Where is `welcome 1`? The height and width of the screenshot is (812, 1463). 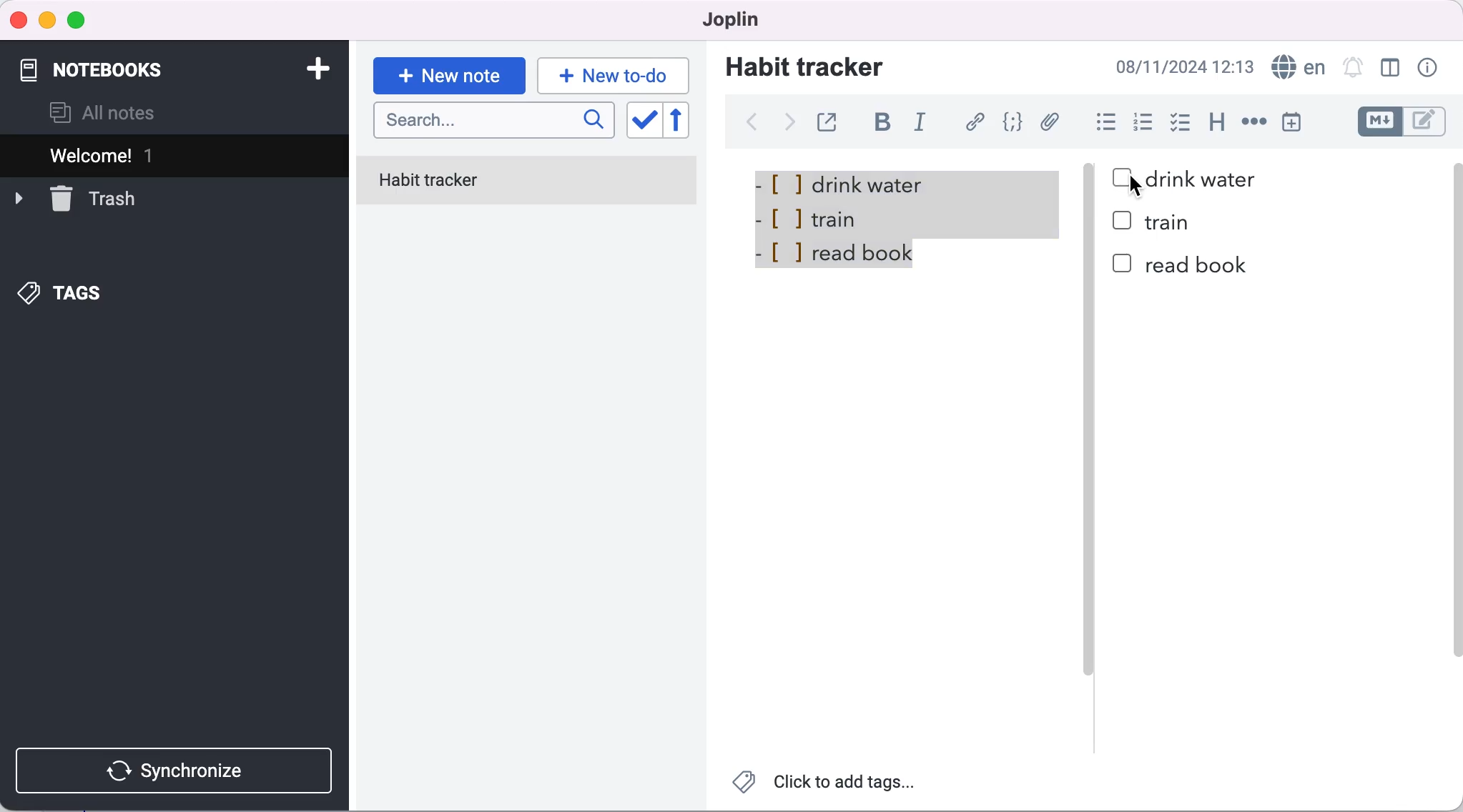
welcome 1 is located at coordinates (177, 155).